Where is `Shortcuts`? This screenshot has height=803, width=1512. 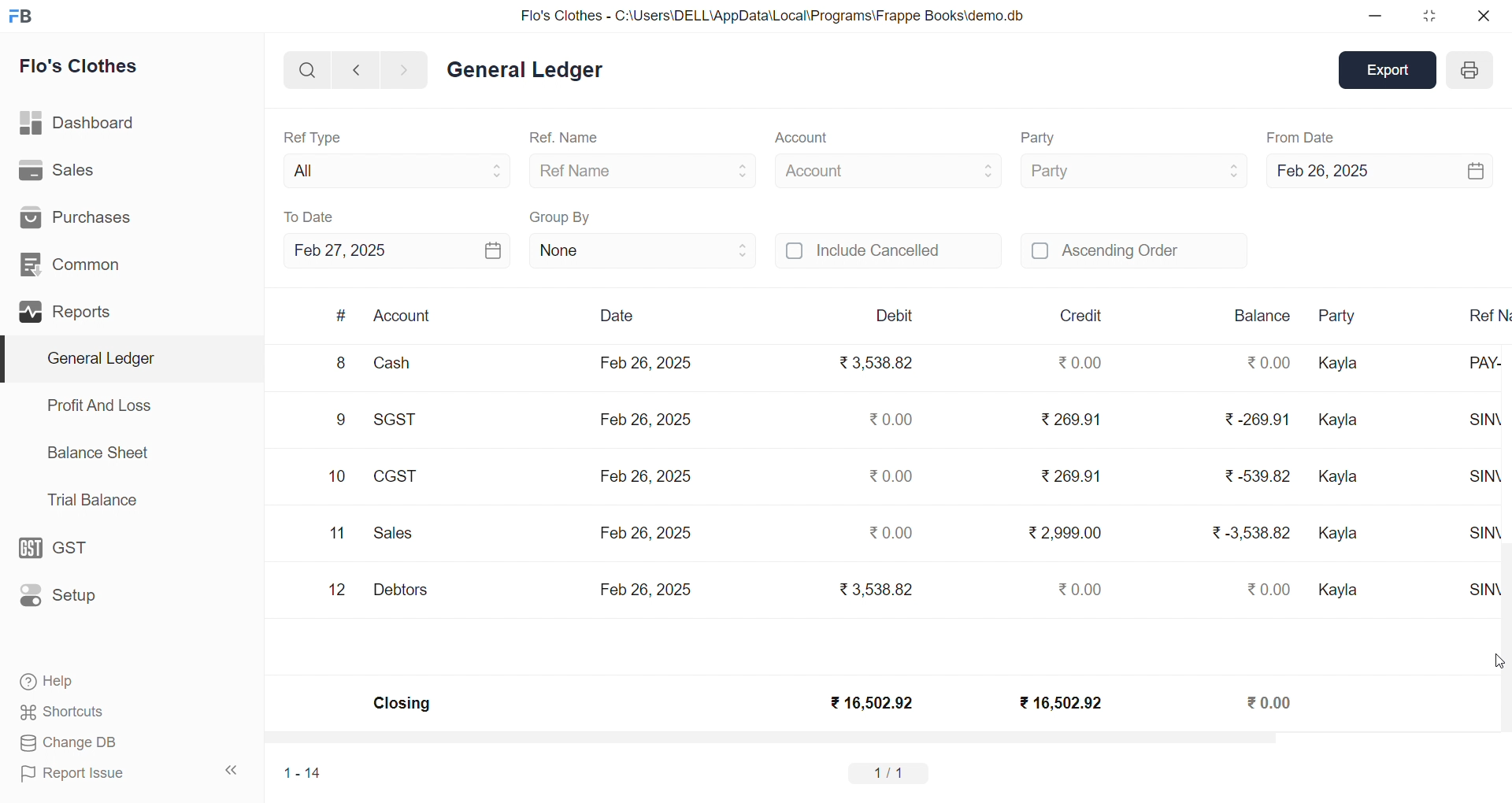
Shortcuts is located at coordinates (62, 709).